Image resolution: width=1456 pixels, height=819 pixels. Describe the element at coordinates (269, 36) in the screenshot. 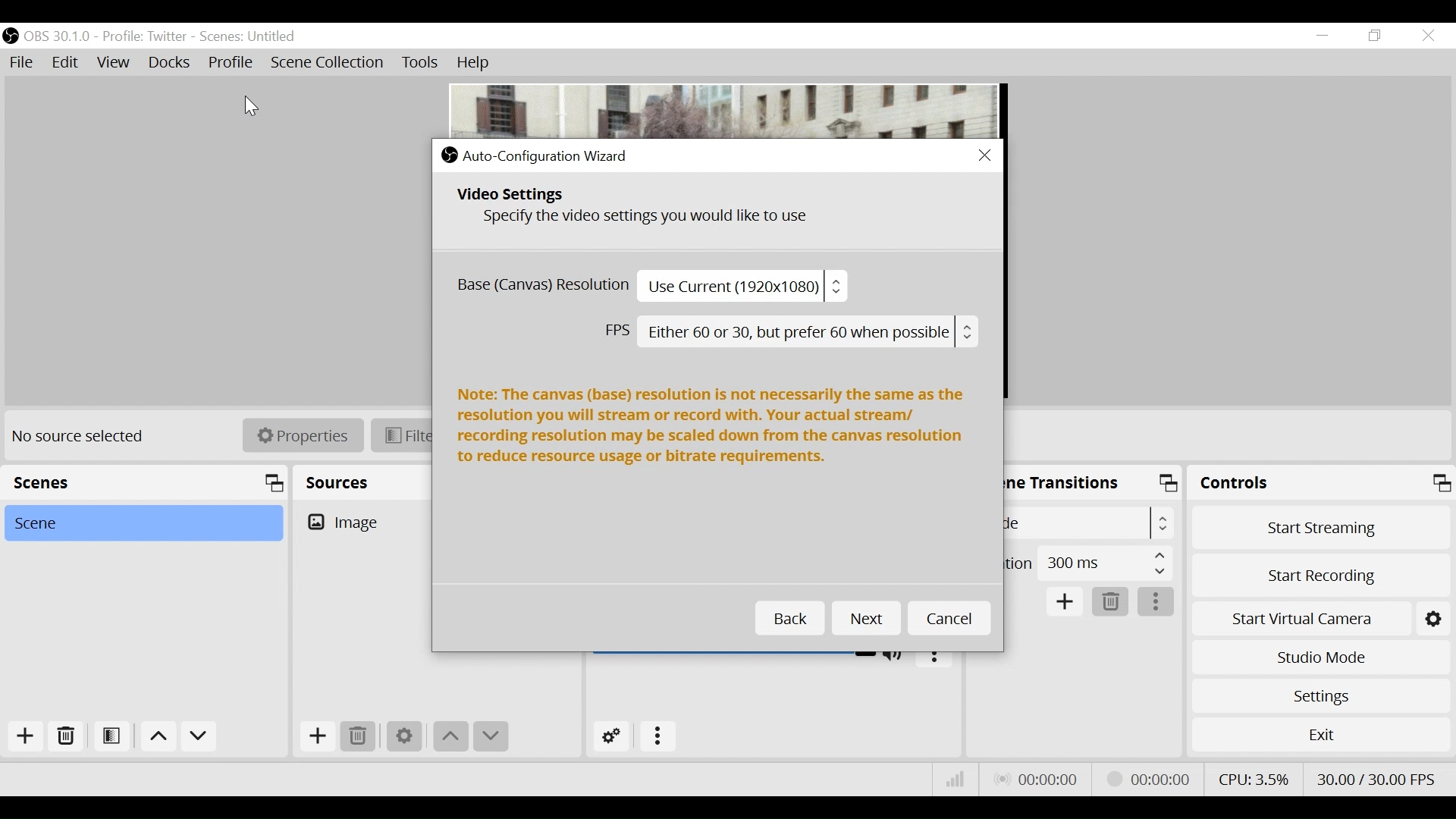

I see `Scenes Name` at that location.